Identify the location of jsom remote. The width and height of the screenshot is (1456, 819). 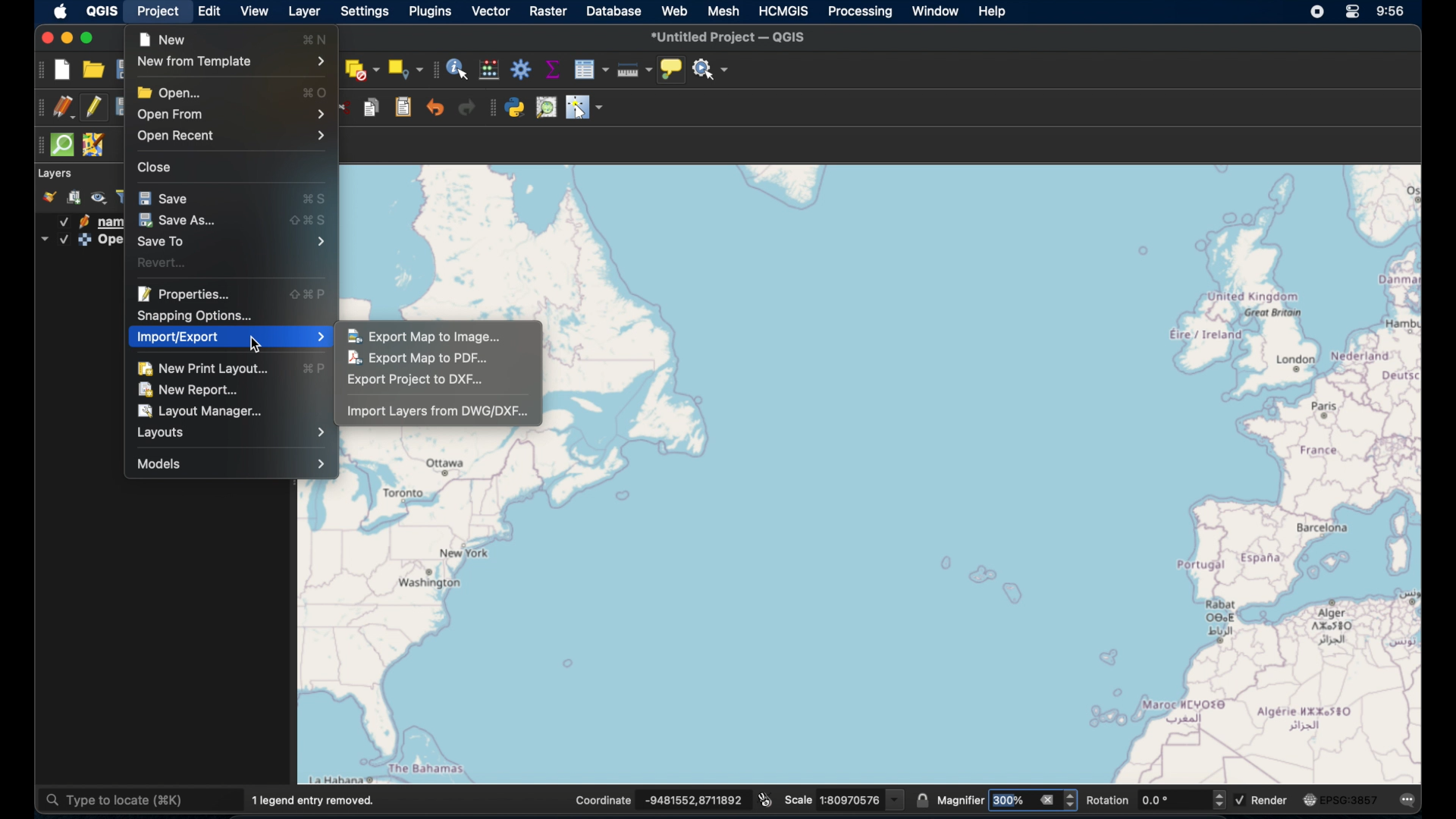
(93, 145).